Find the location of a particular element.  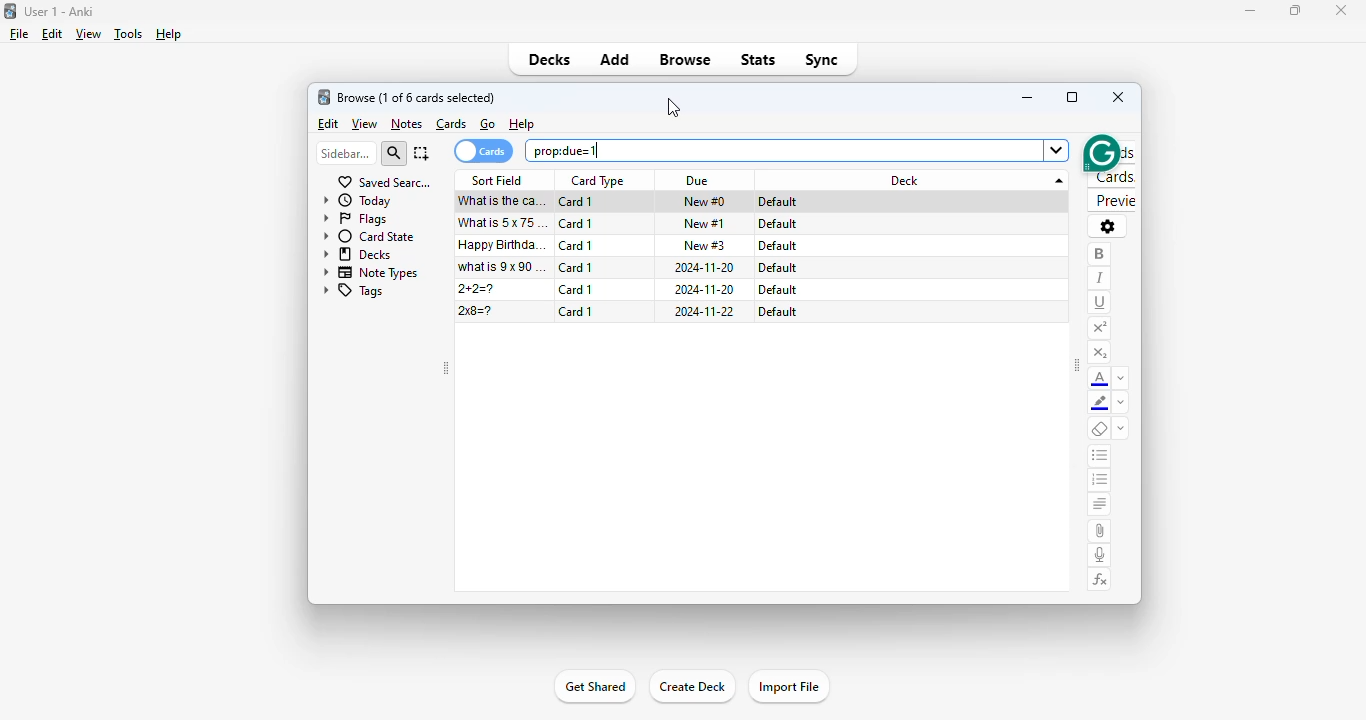

decks is located at coordinates (358, 255).